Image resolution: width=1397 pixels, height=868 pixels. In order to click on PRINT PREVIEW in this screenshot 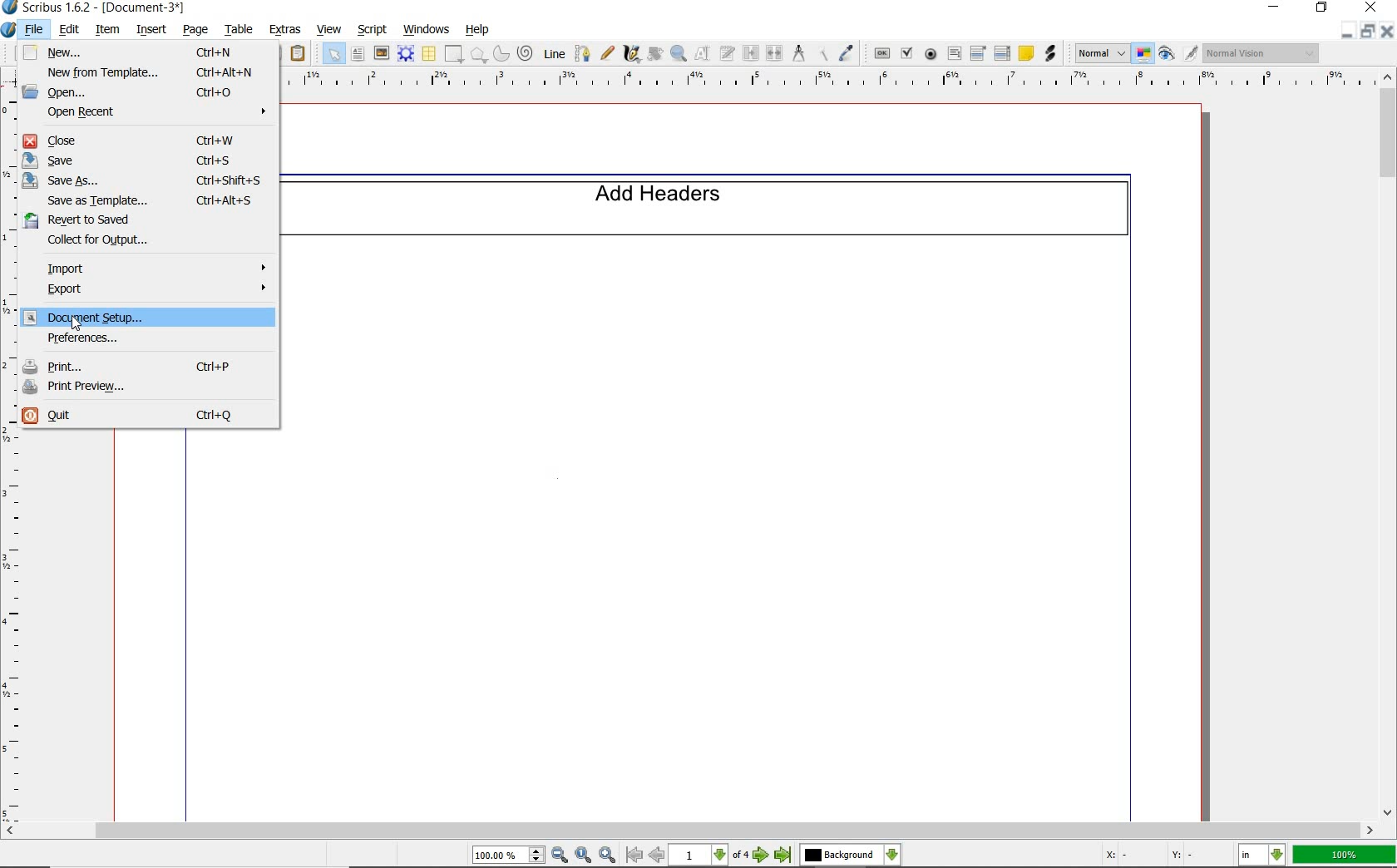, I will do `click(145, 389)`.